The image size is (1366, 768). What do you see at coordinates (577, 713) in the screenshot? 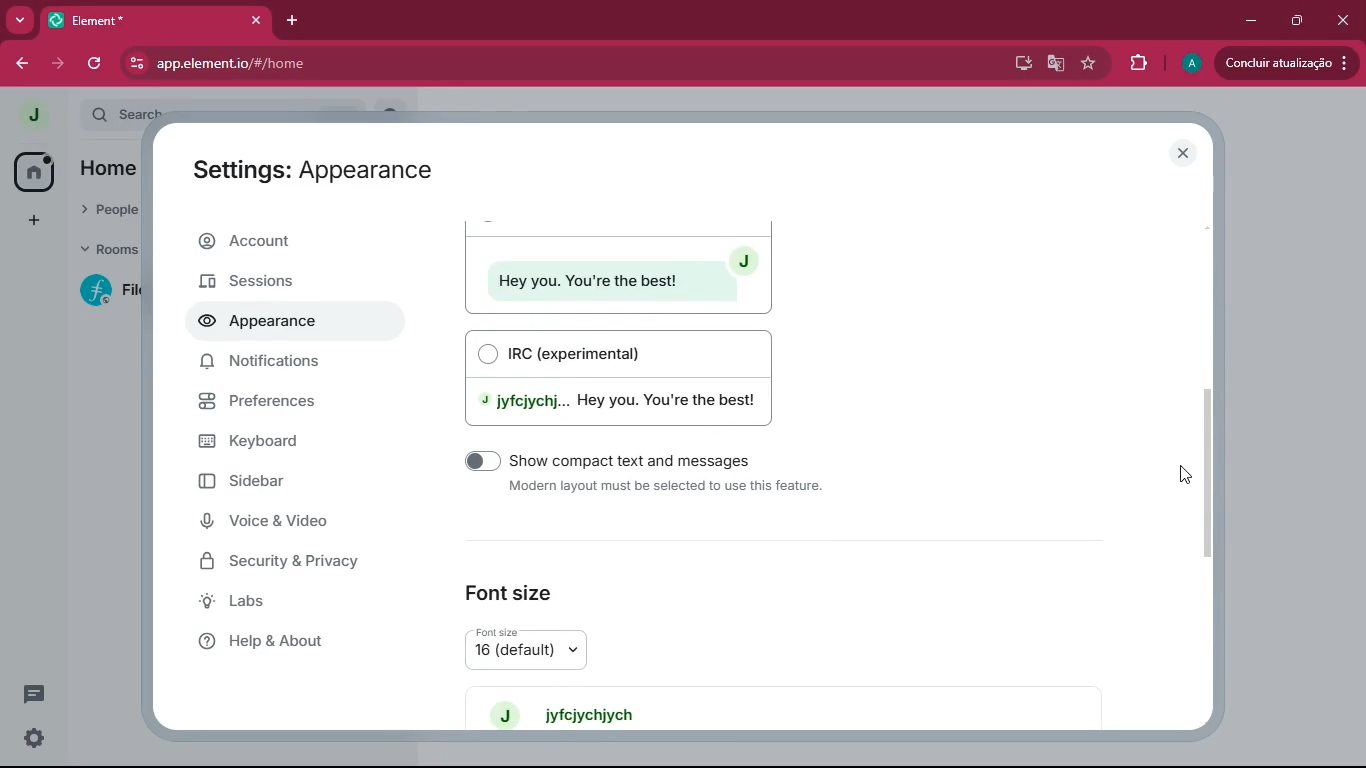
I see `jyfeiychiych` at bounding box center [577, 713].